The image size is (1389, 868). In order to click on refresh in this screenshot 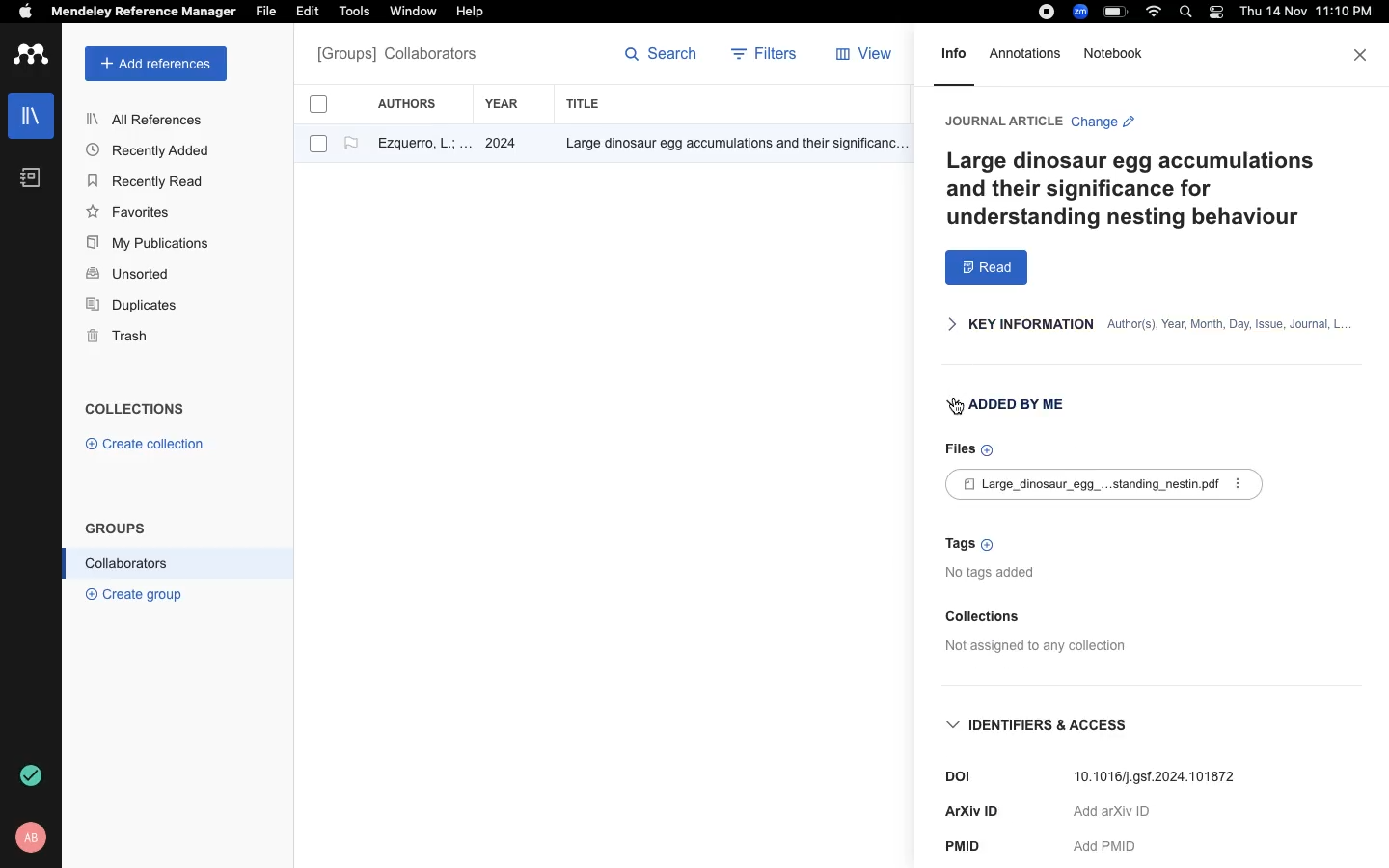, I will do `click(34, 775)`.